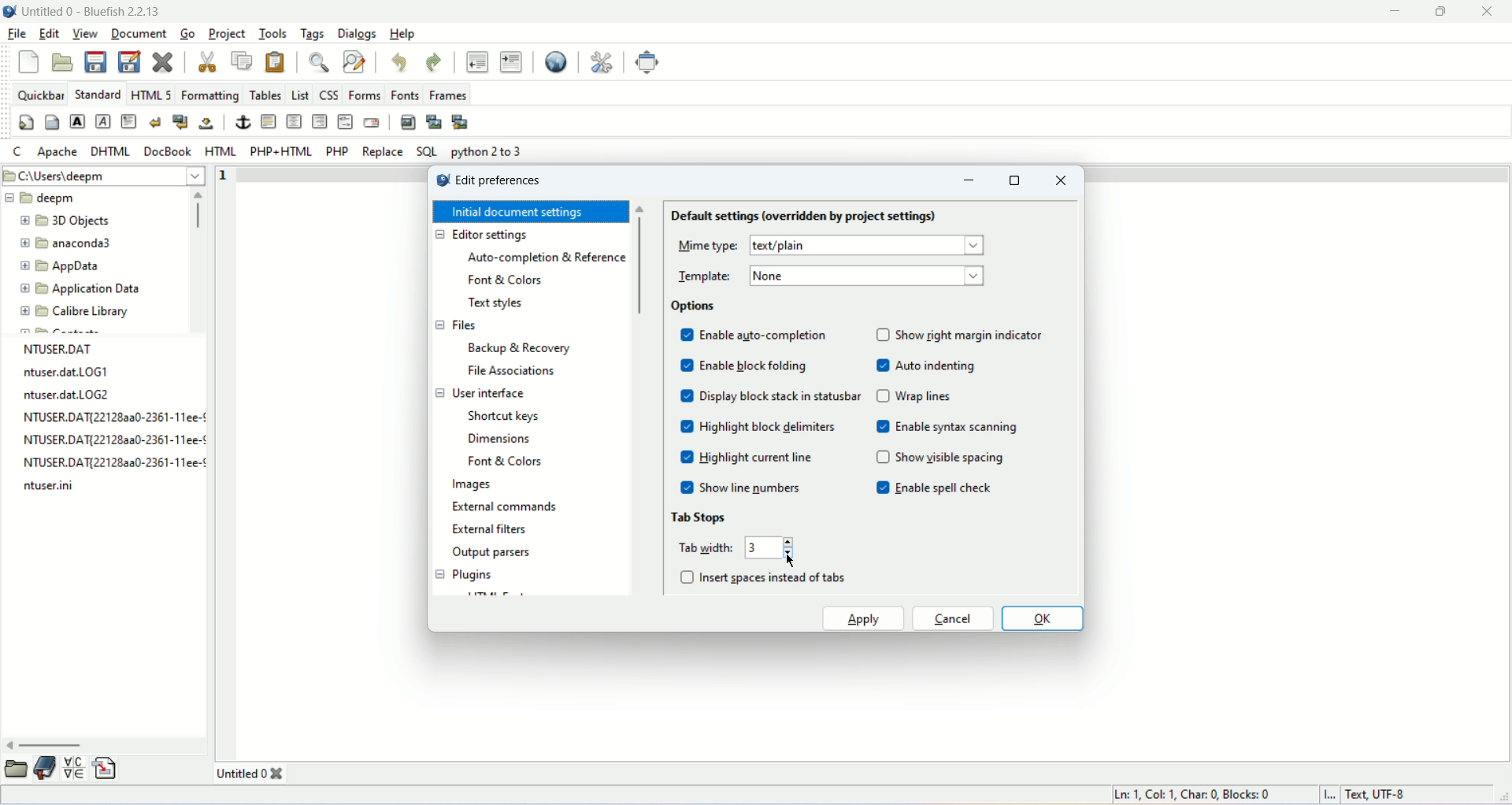 Image resolution: width=1512 pixels, height=805 pixels. Describe the element at coordinates (702, 276) in the screenshot. I see `template` at that location.